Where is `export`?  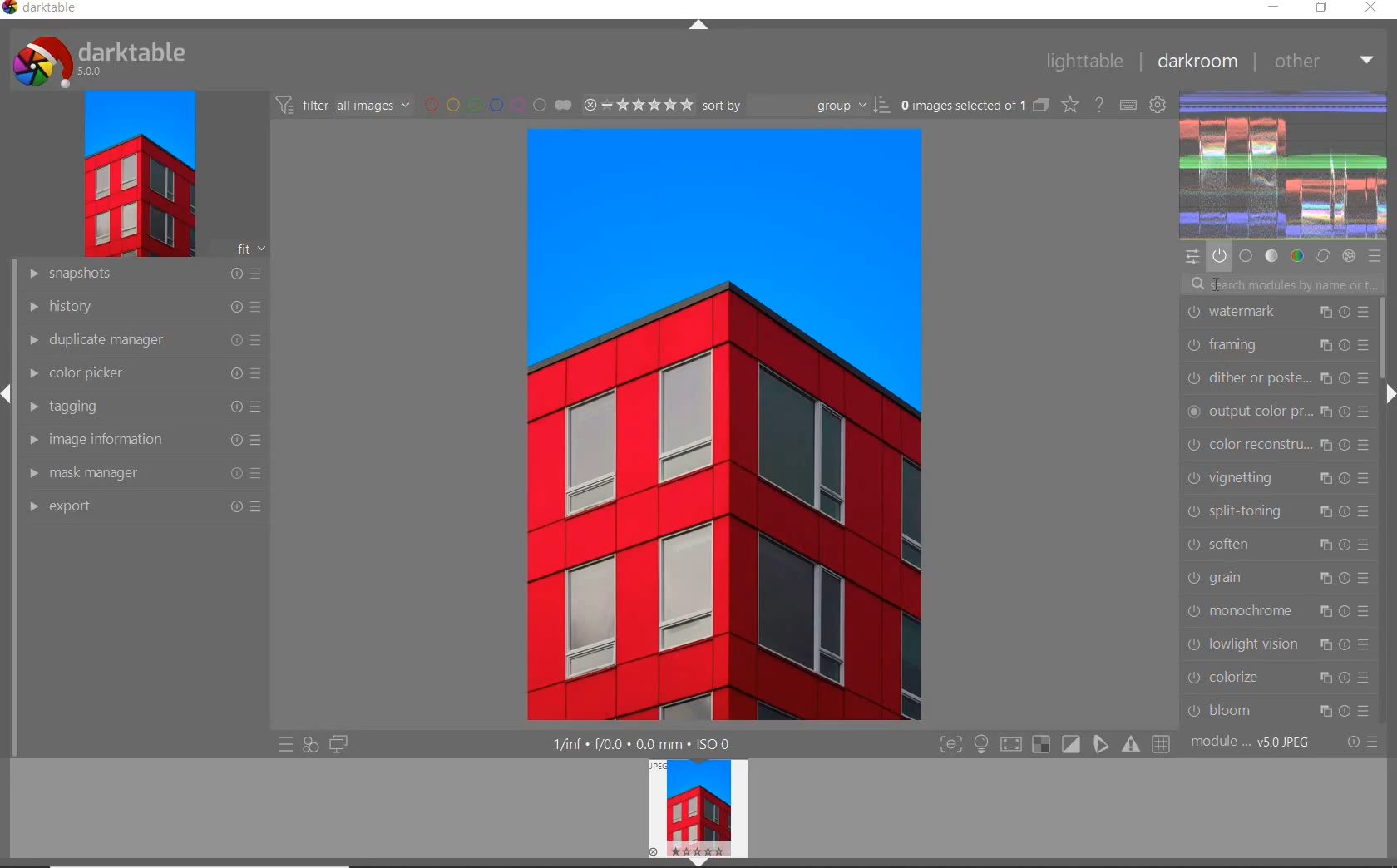
export is located at coordinates (146, 507).